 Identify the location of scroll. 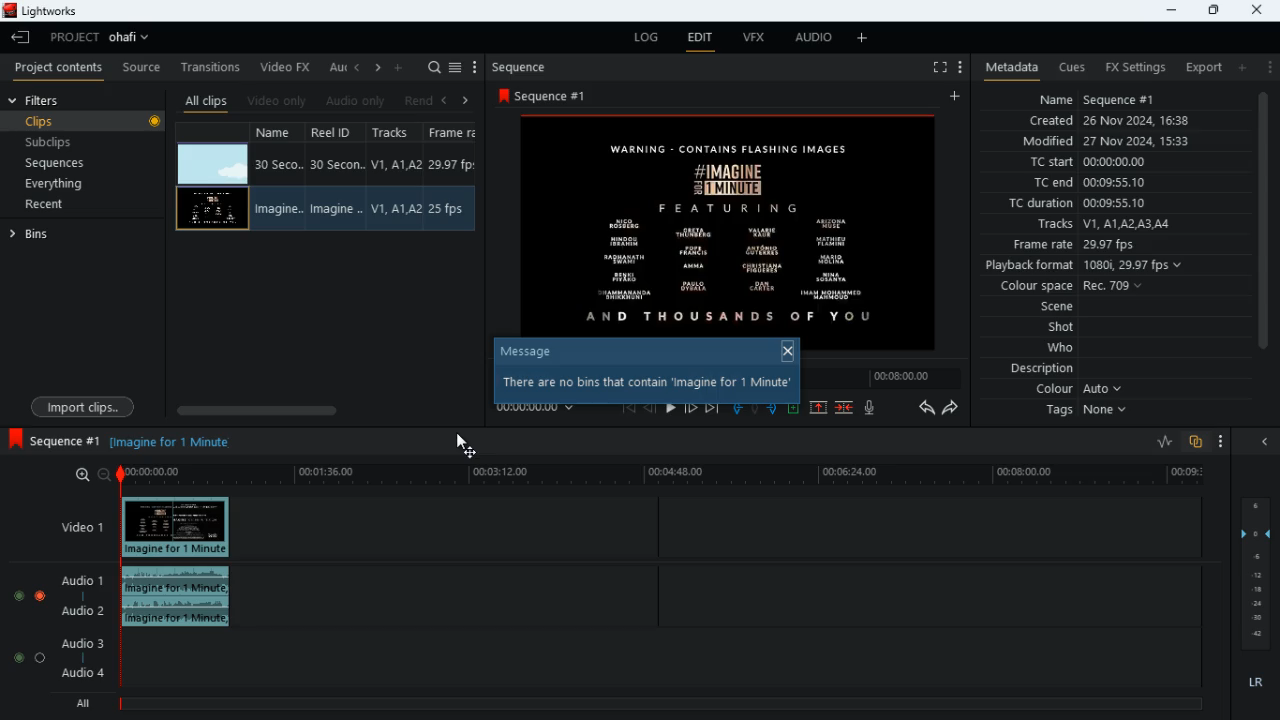
(1261, 234).